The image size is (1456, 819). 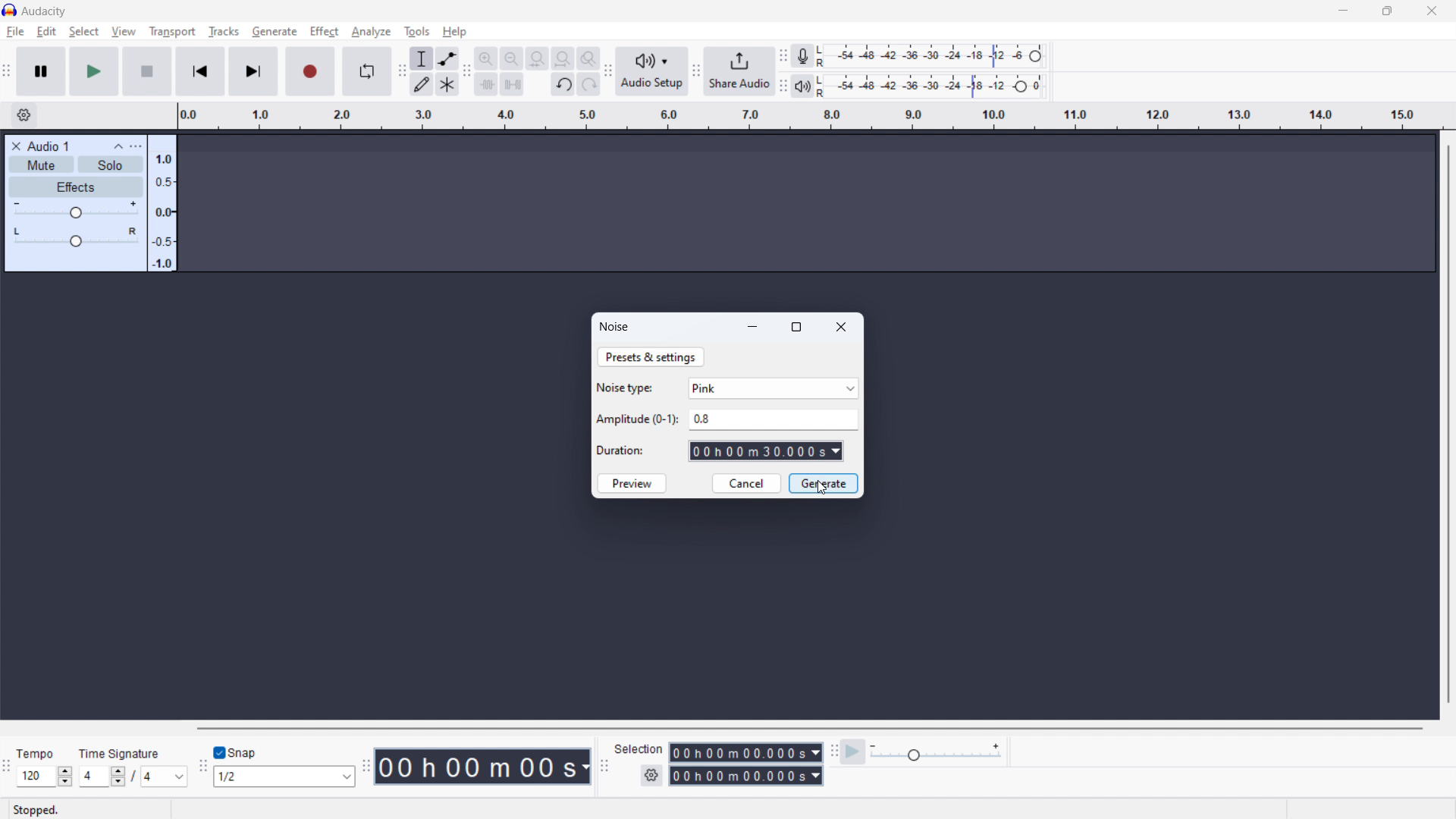 I want to click on generate noise dialogbox, so click(x=615, y=327).